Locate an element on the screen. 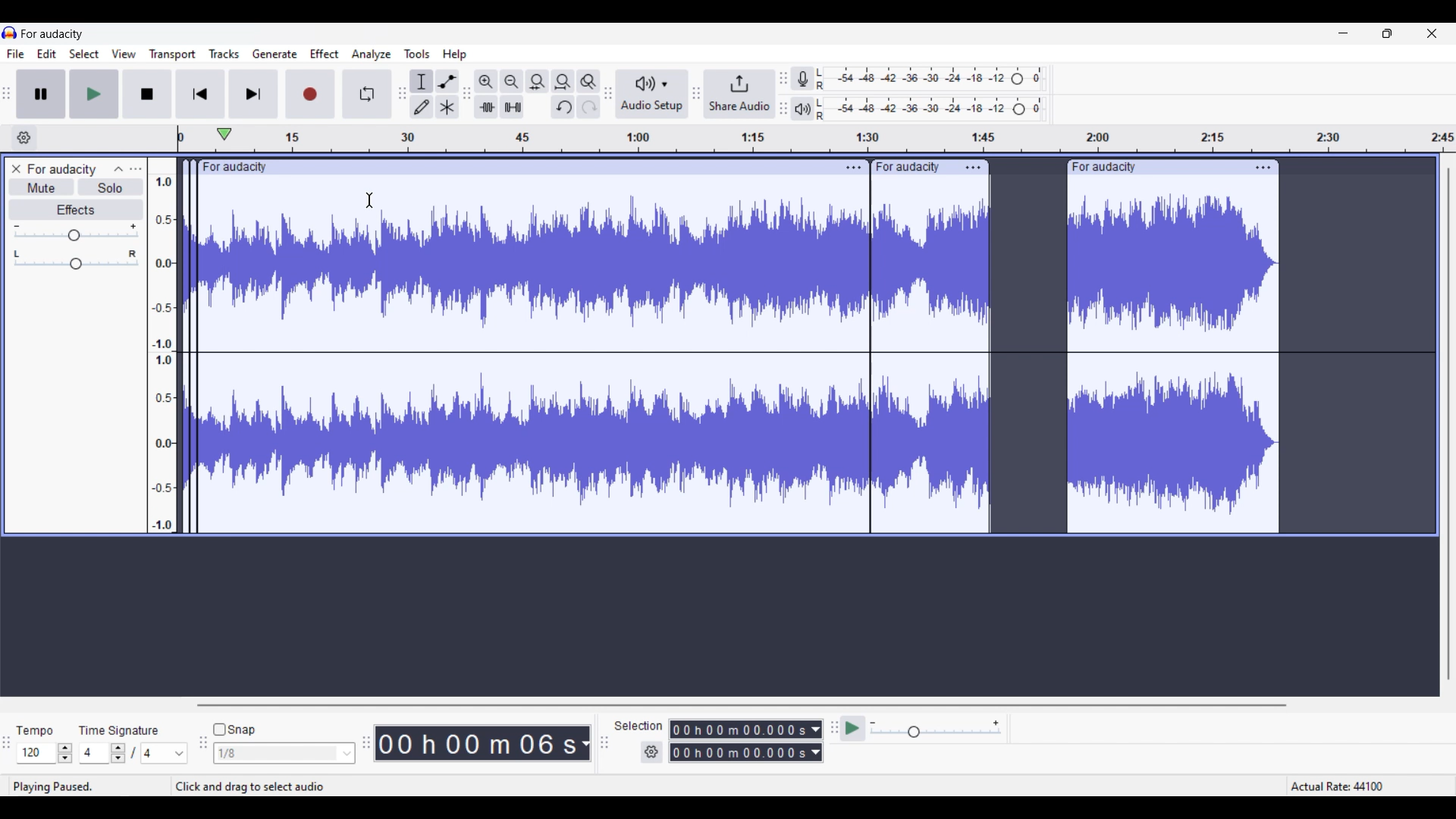  Time signature settings is located at coordinates (134, 752).